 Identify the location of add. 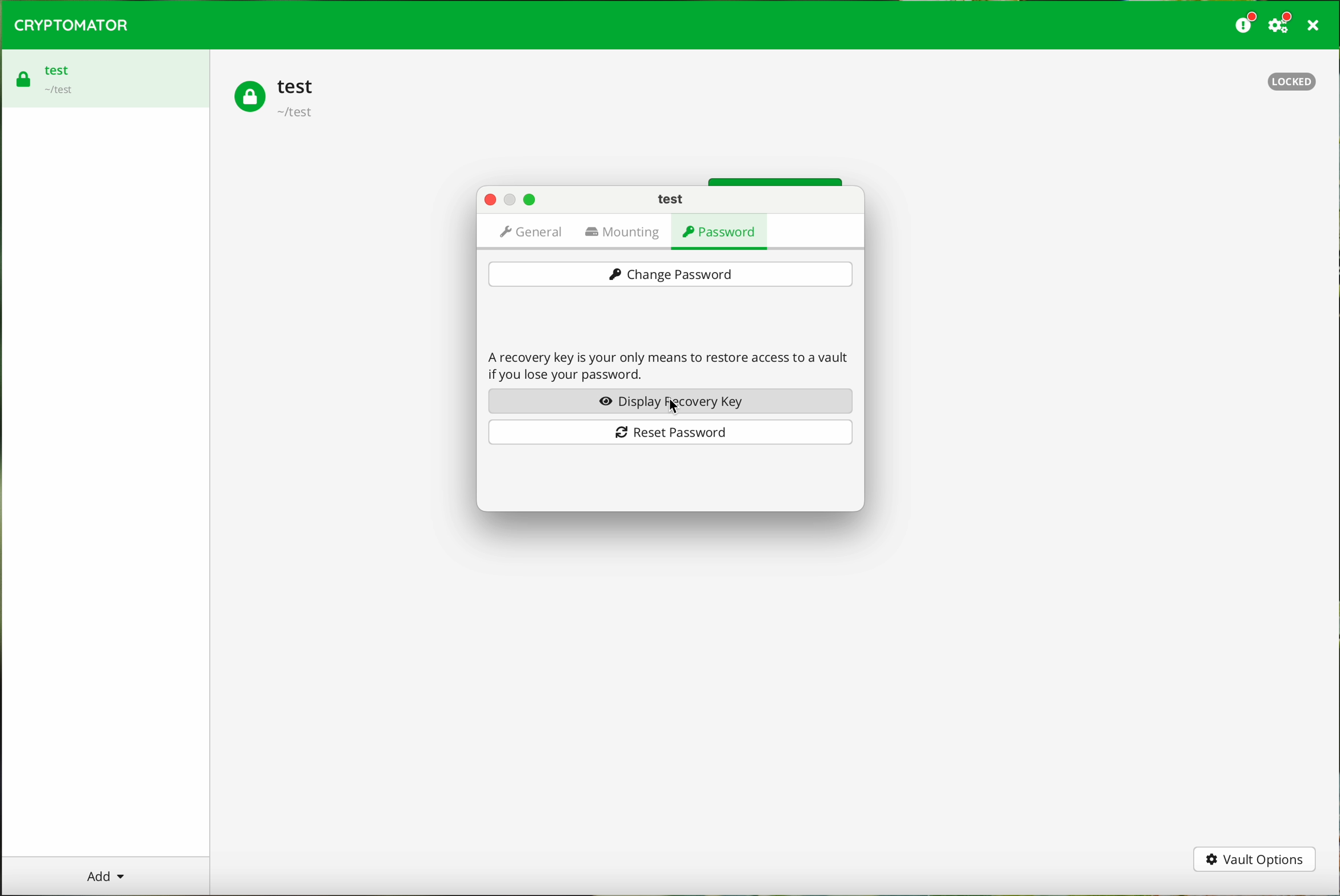
(103, 875).